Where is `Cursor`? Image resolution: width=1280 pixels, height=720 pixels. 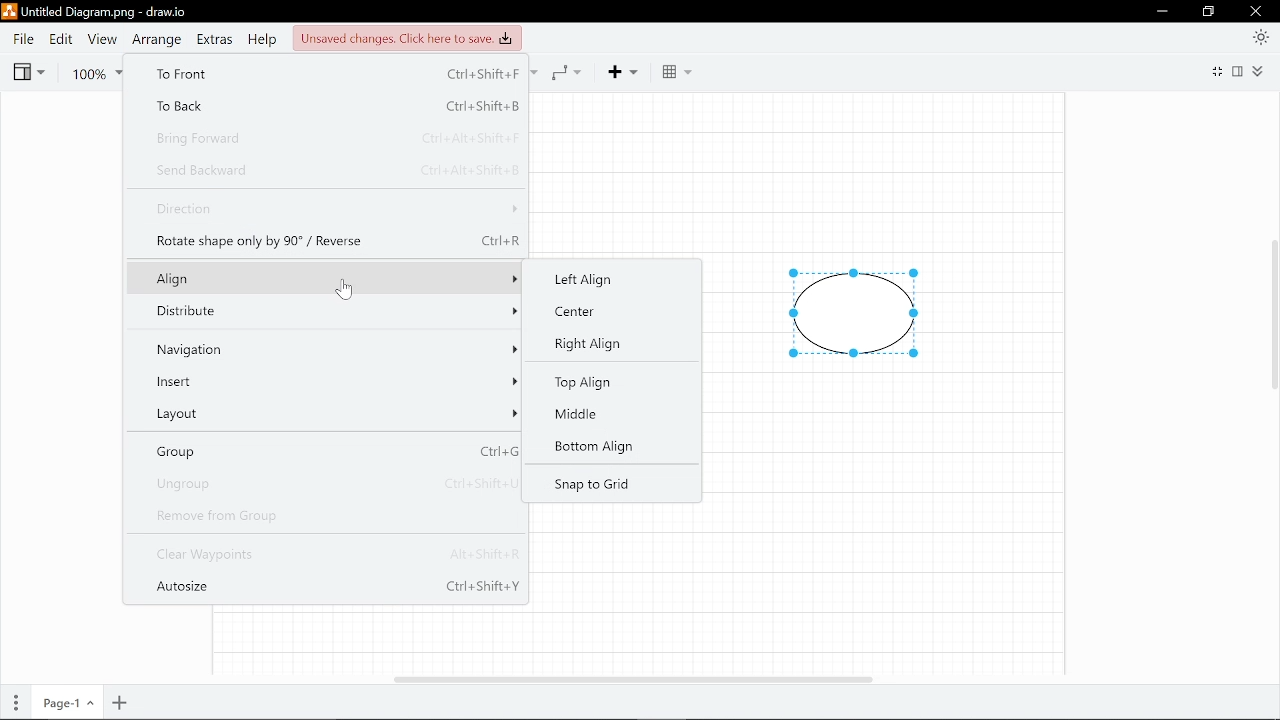
Cursor is located at coordinates (344, 290).